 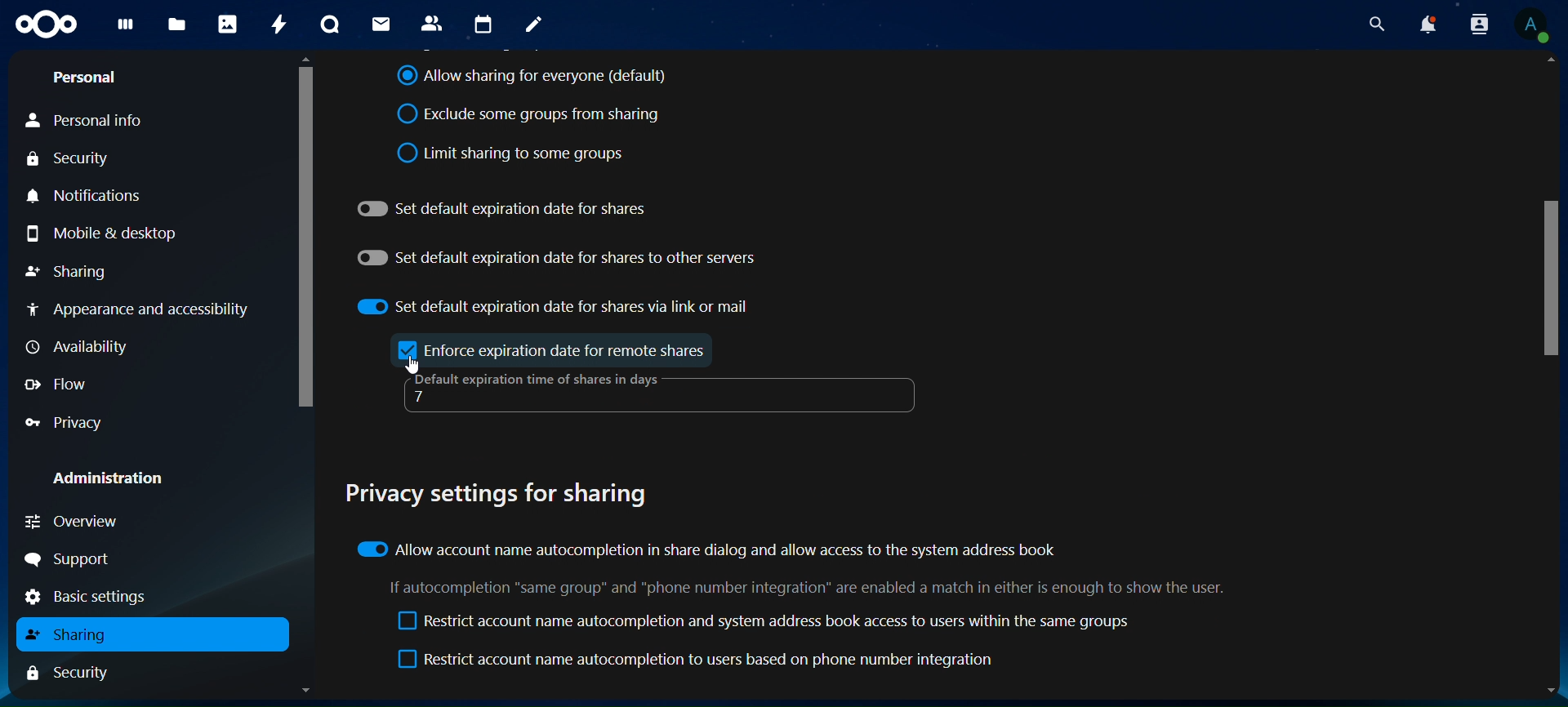 What do you see at coordinates (700, 661) in the screenshot?
I see `Restrict account name autocompletion to users based on phone number integration` at bounding box center [700, 661].